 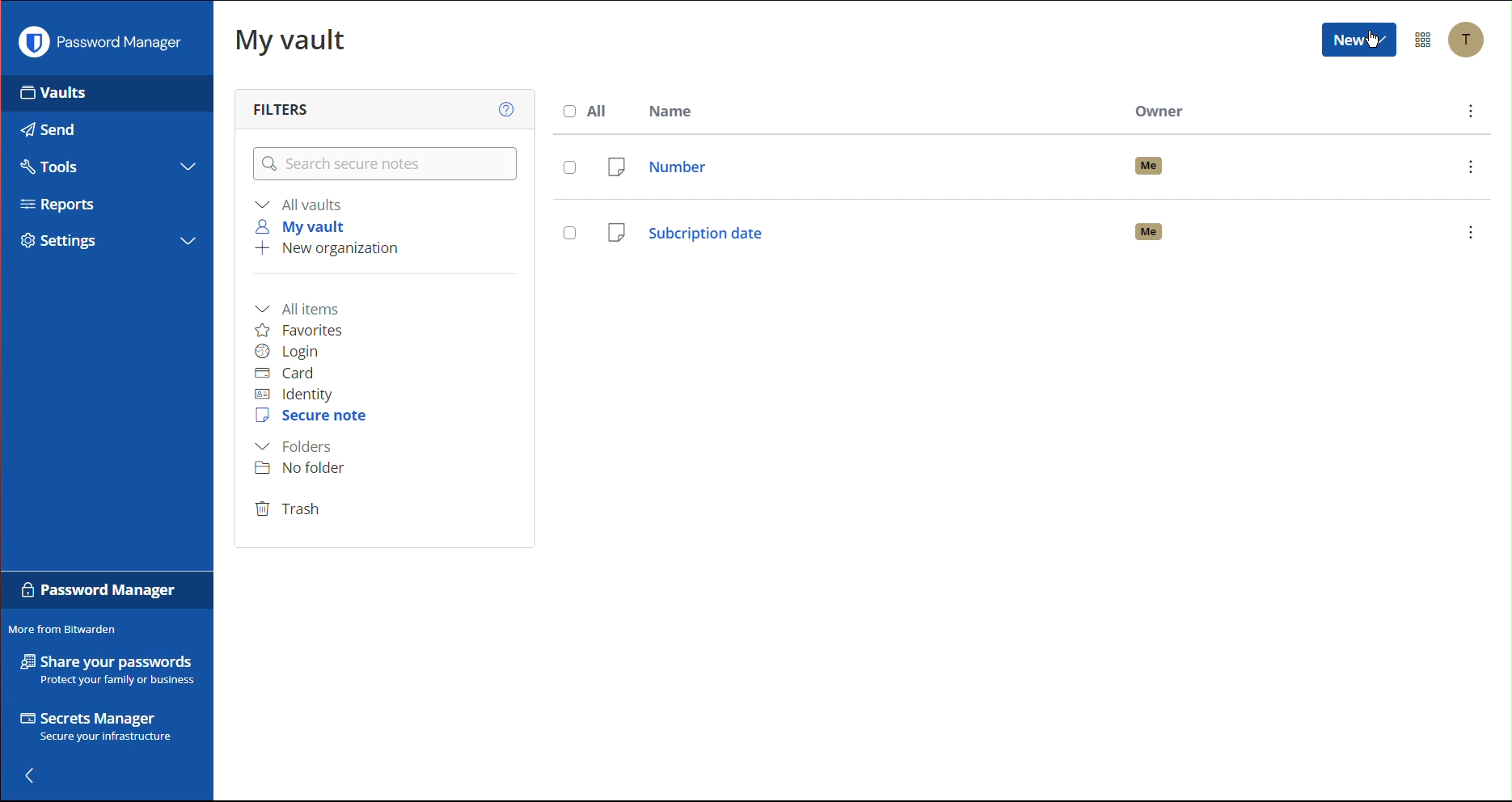 What do you see at coordinates (294, 376) in the screenshot?
I see `Card` at bounding box center [294, 376].